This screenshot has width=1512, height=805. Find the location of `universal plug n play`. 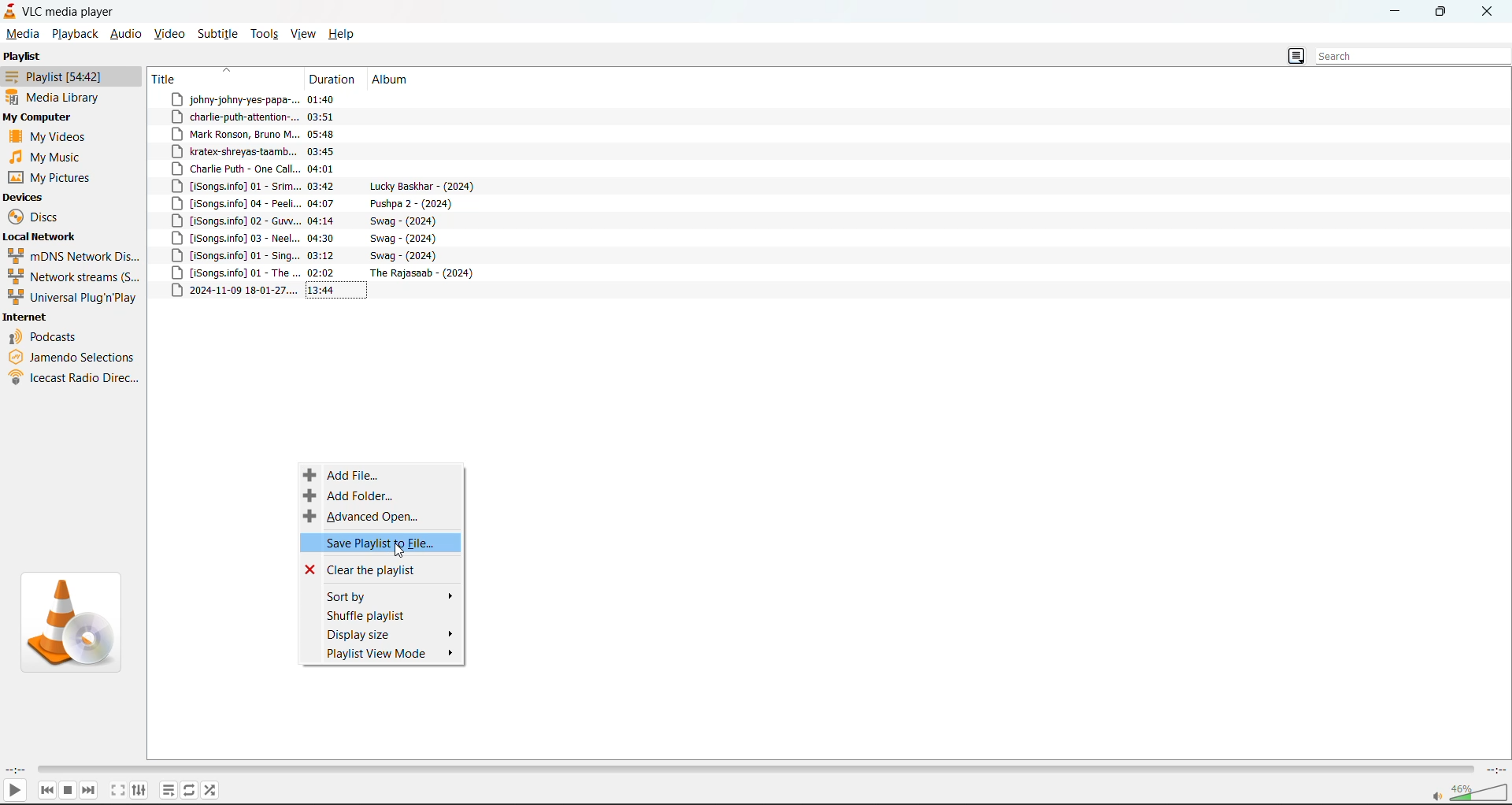

universal plug n play is located at coordinates (73, 297).